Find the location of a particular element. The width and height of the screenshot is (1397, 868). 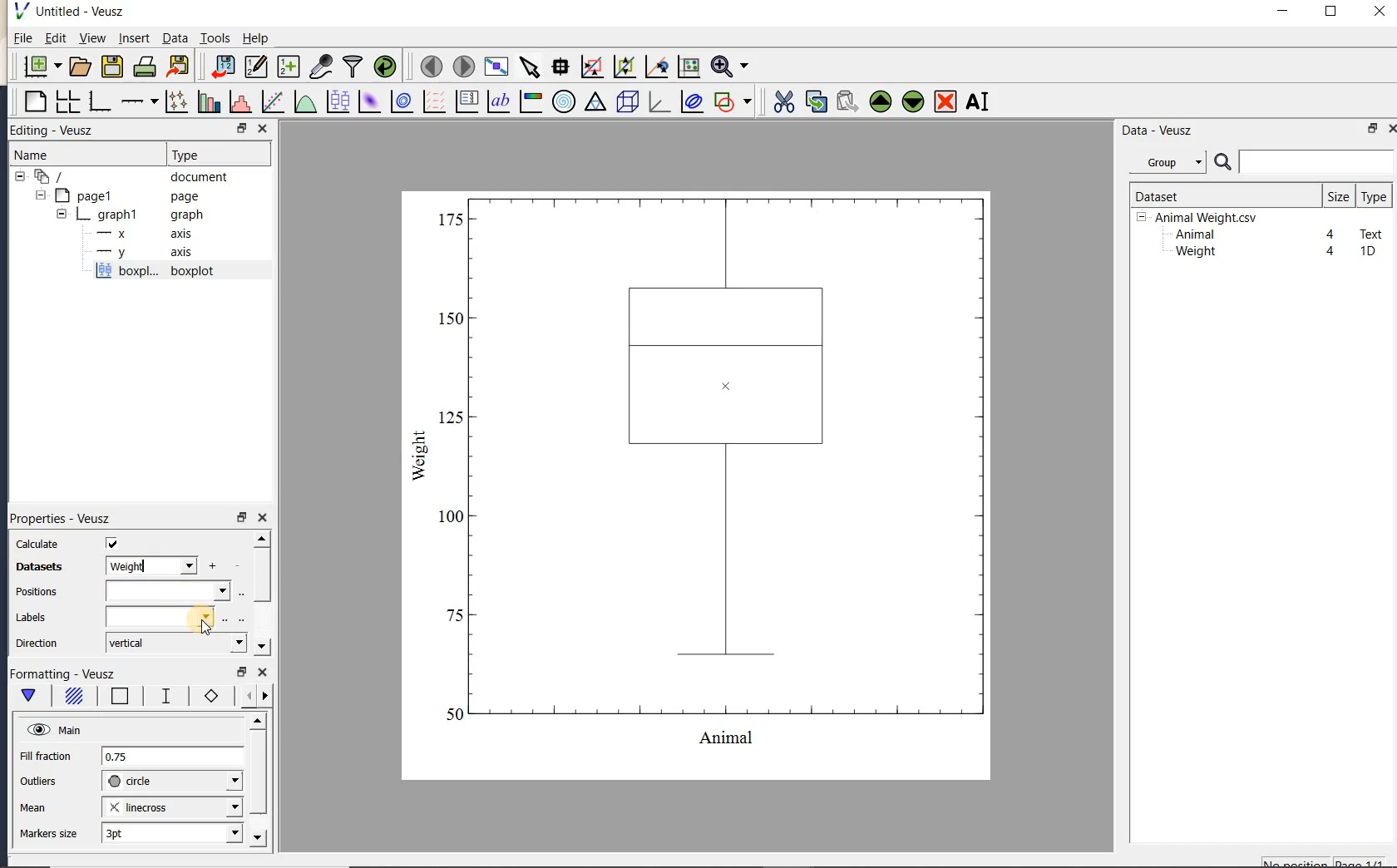

move the selected widget down is located at coordinates (913, 101).